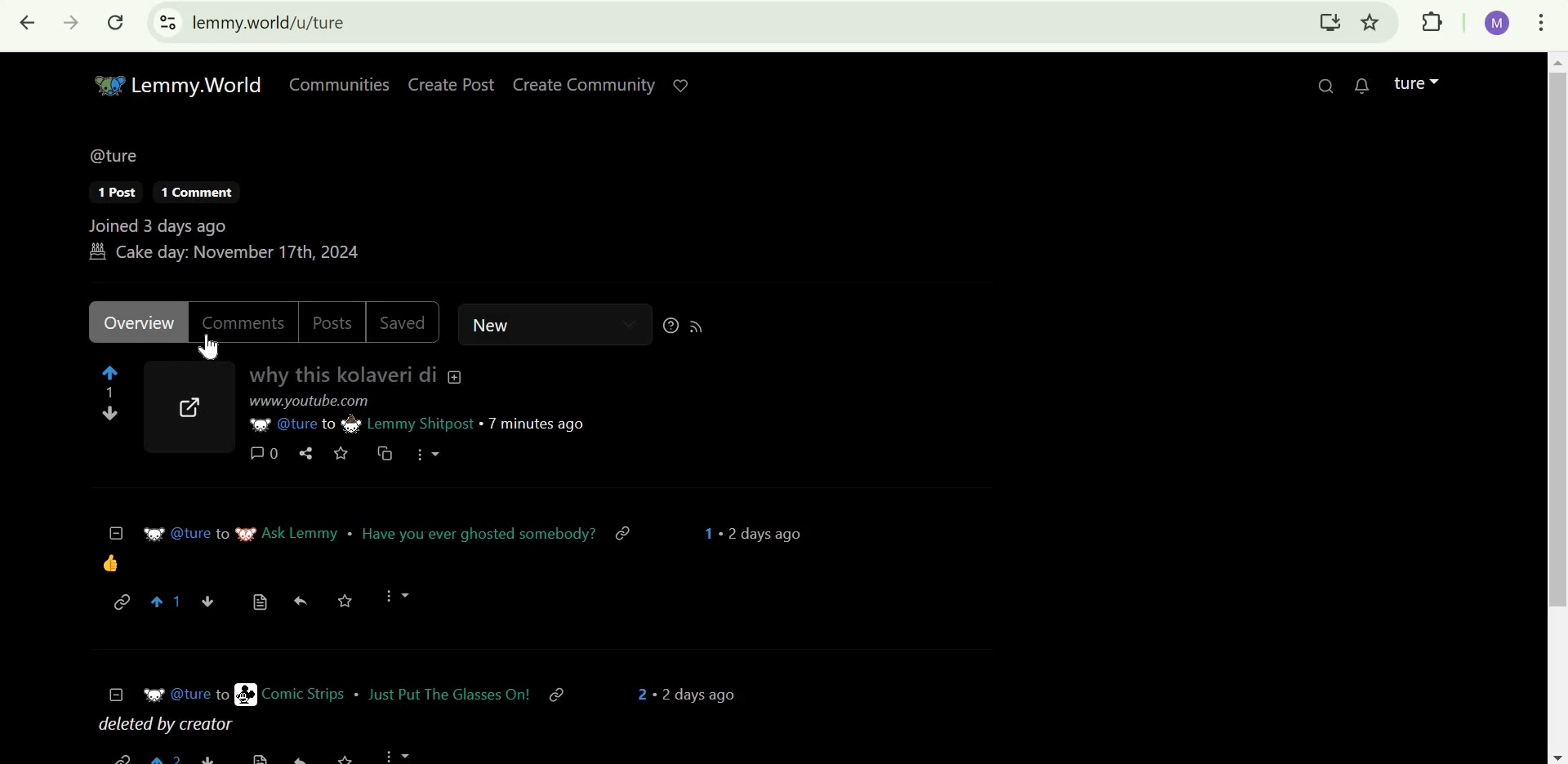  Describe the element at coordinates (1407, 79) in the screenshot. I see `lemmy accouny` at that location.